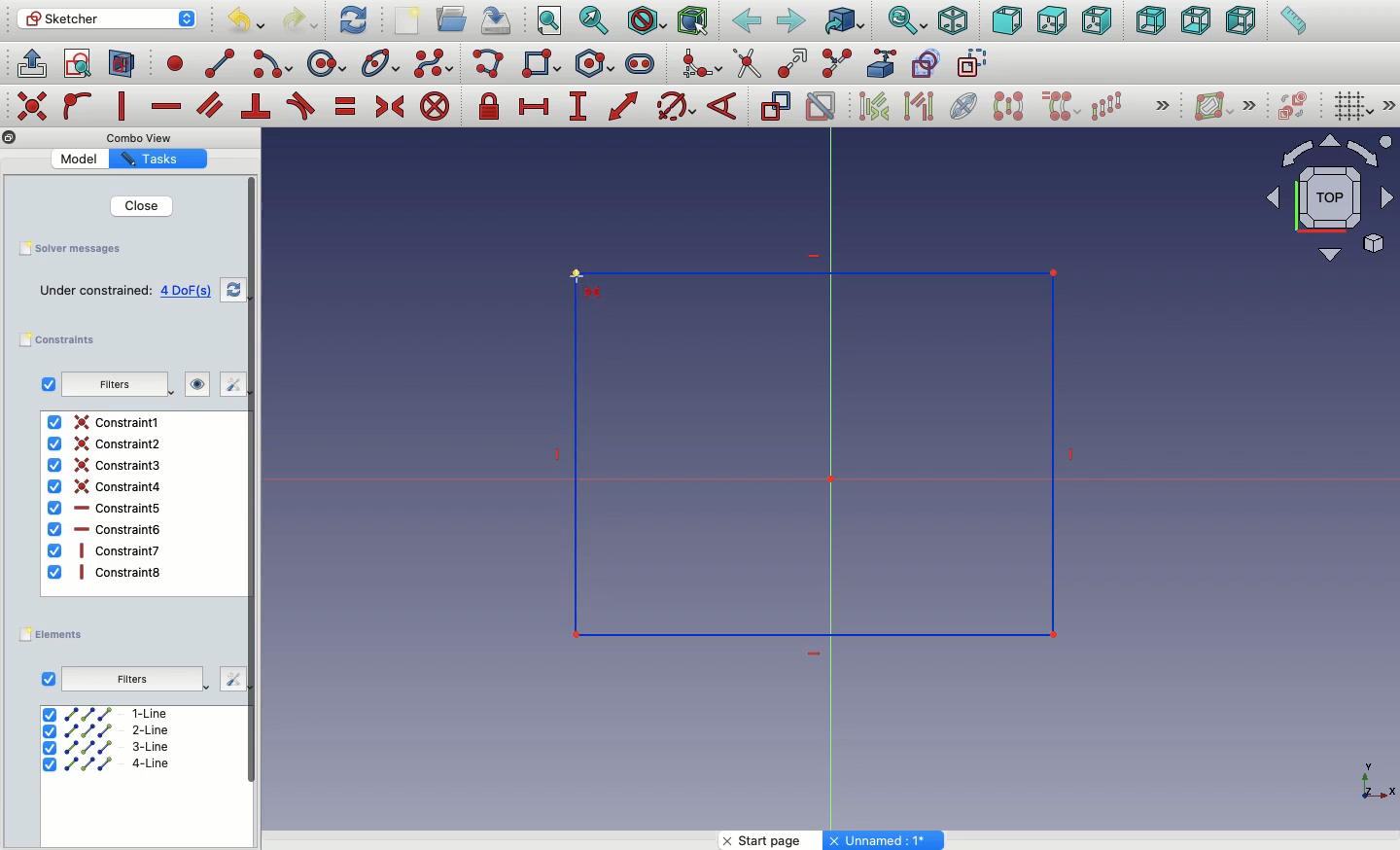 The width and height of the screenshot is (1400, 850). Describe the element at coordinates (95, 292) in the screenshot. I see `Under constrained:` at that location.